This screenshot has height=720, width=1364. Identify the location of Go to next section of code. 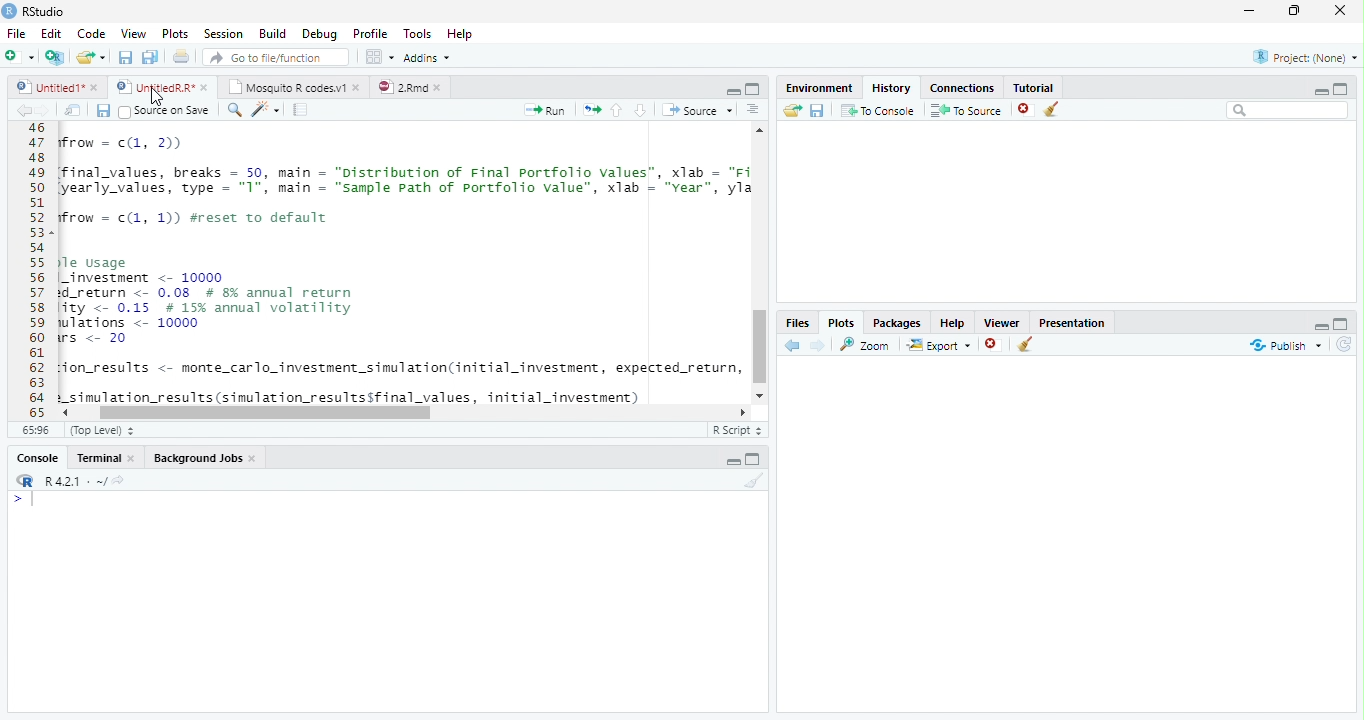
(642, 111).